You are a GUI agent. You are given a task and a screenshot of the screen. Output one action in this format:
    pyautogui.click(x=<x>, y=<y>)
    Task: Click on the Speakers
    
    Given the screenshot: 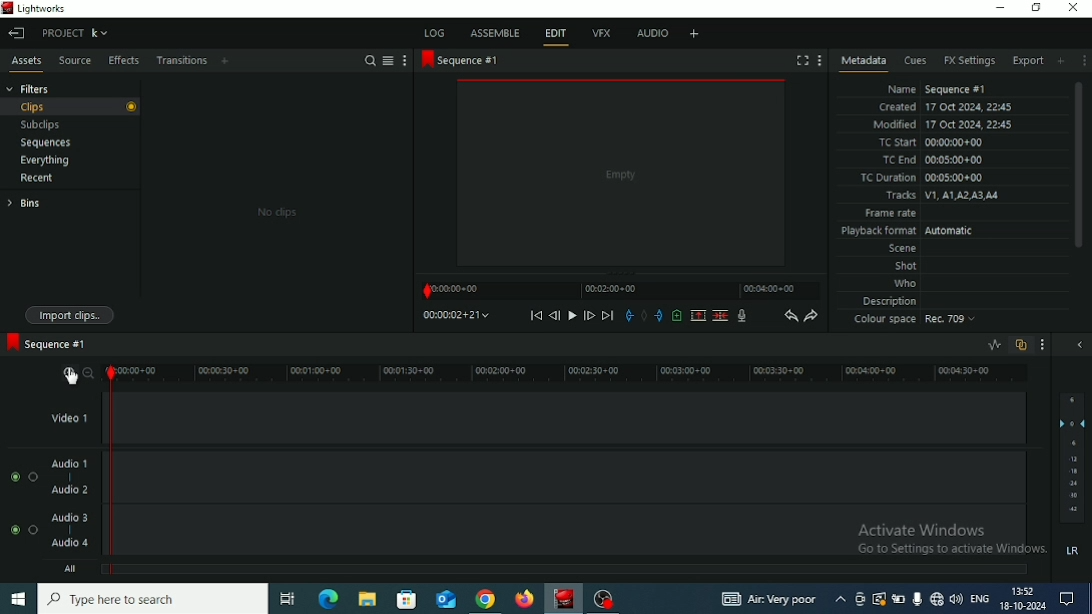 What is the action you would take?
    pyautogui.click(x=956, y=598)
    